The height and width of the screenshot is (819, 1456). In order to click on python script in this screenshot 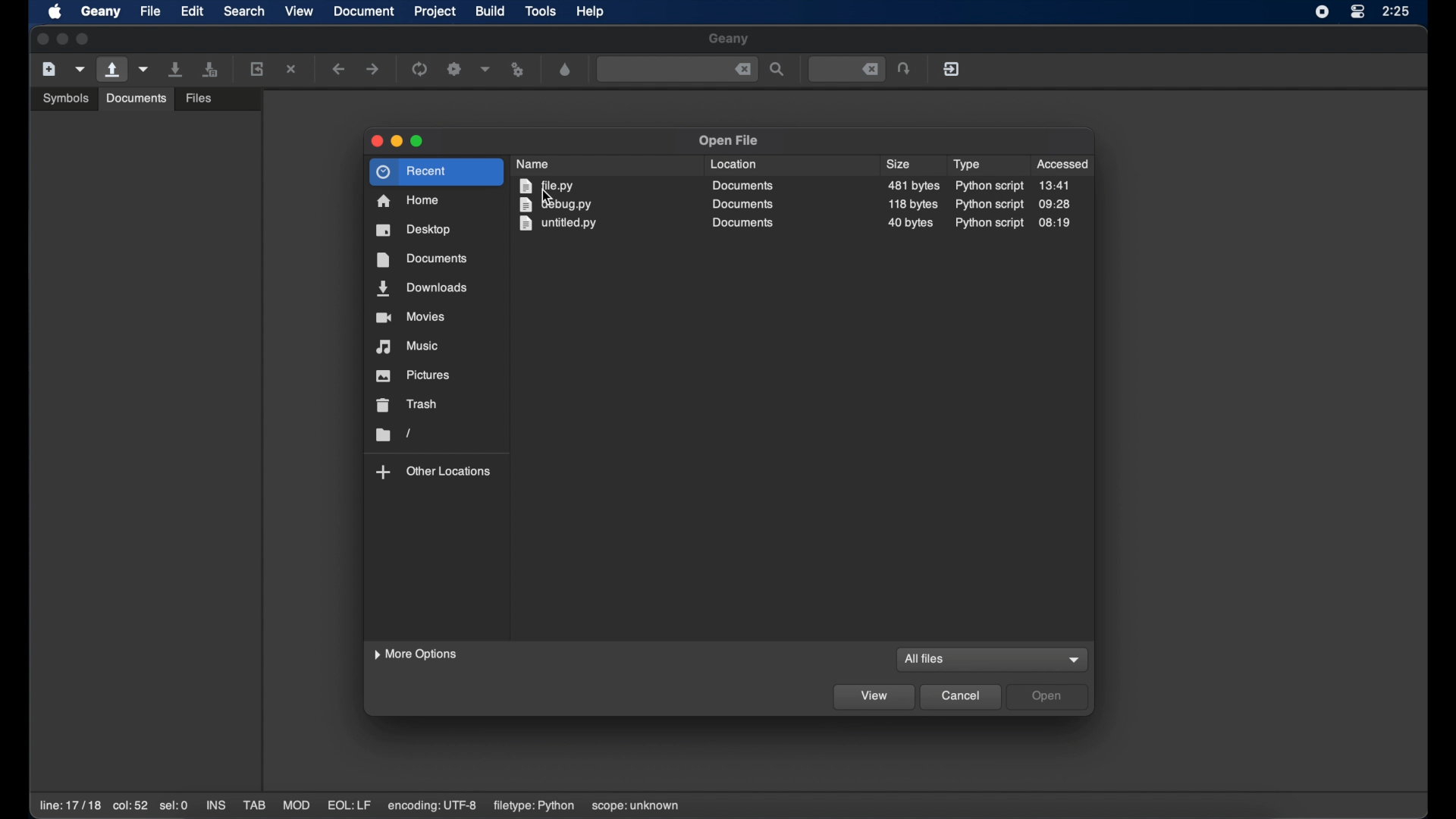, I will do `click(989, 204)`.